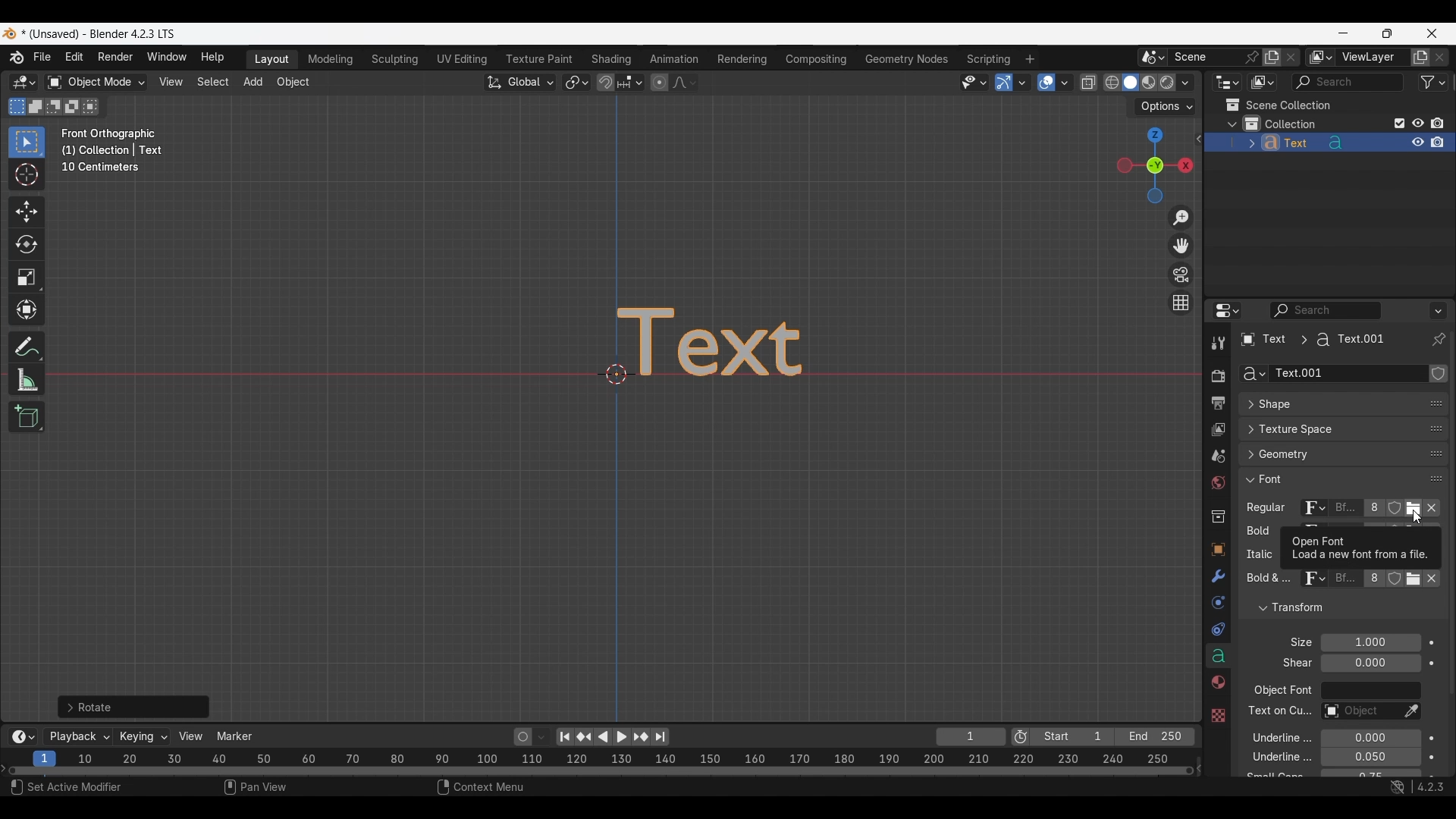  Describe the element at coordinates (1439, 310) in the screenshot. I see `Options for the properties editor` at that location.